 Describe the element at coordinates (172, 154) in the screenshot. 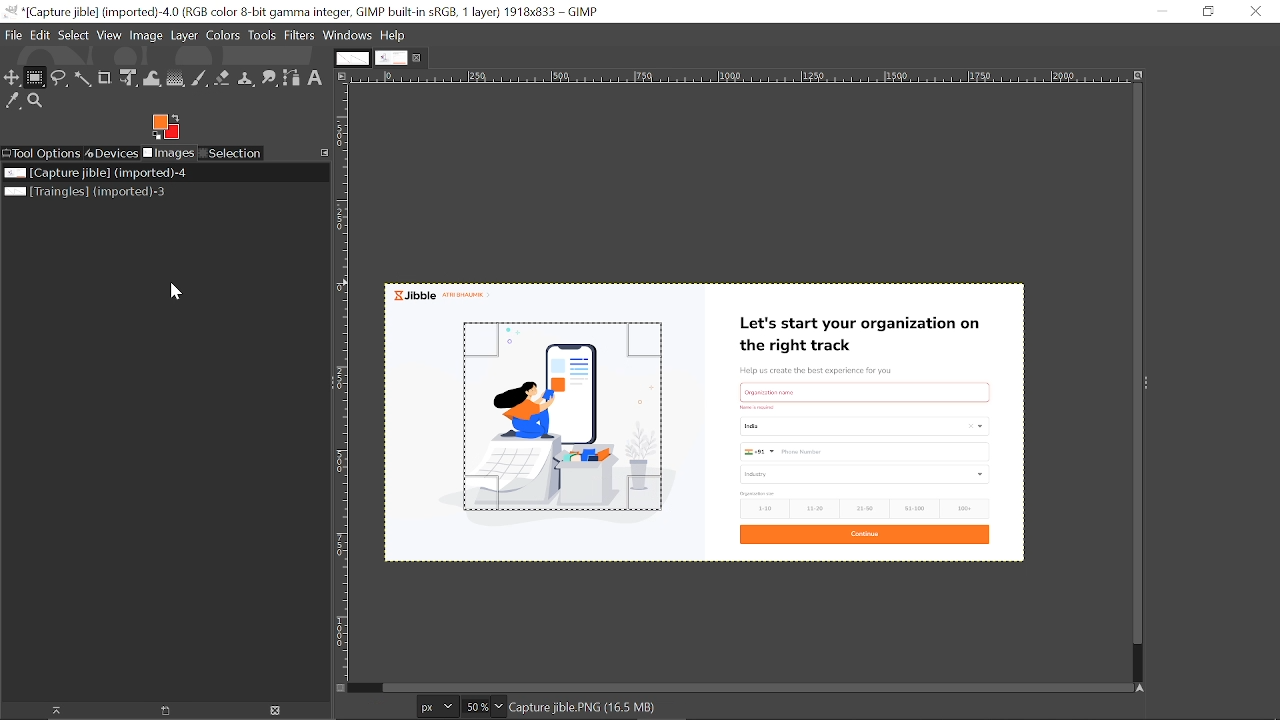

I see `Images` at that location.